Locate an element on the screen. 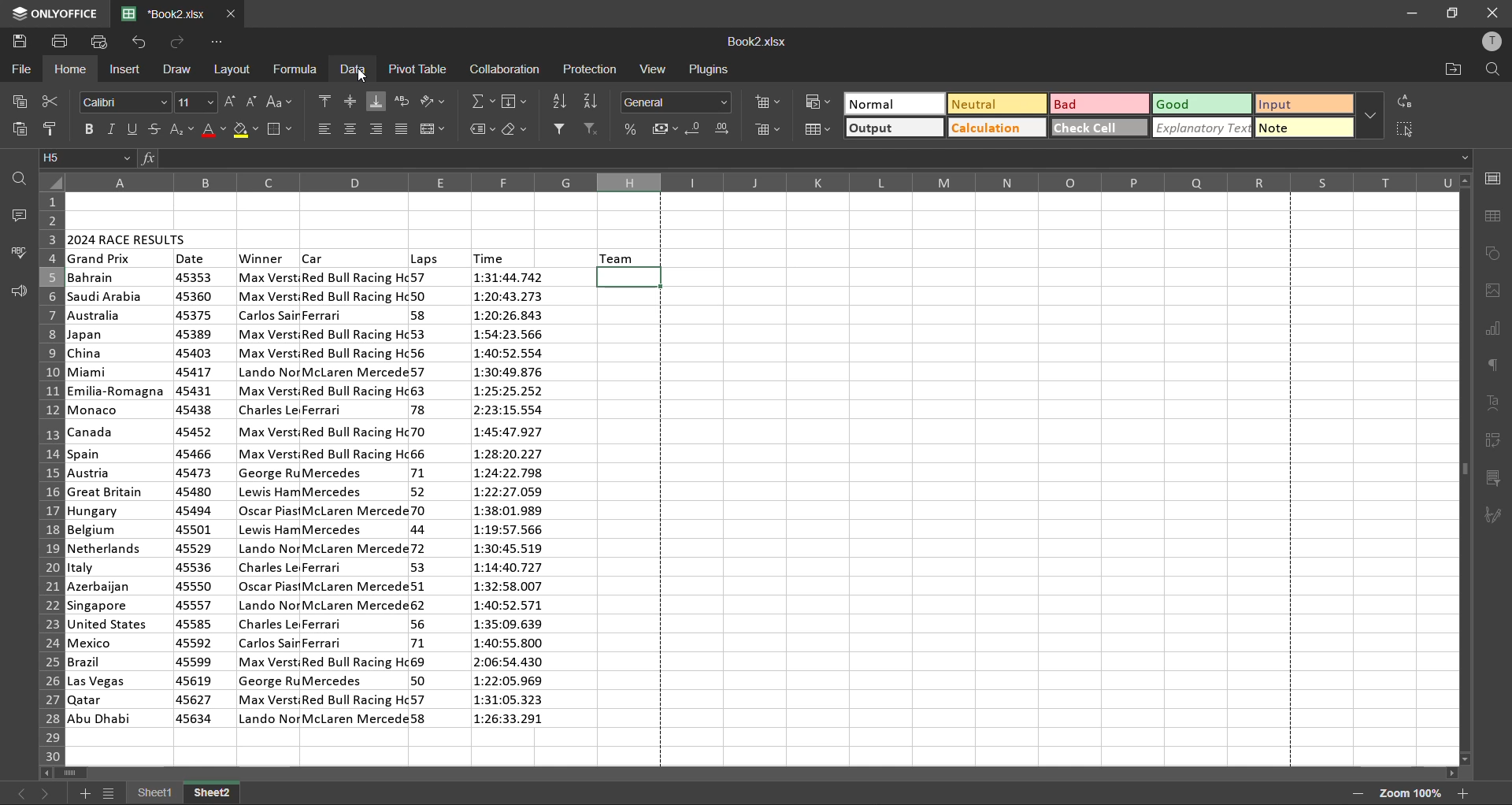  add sheet is located at coordinates (84, 794).